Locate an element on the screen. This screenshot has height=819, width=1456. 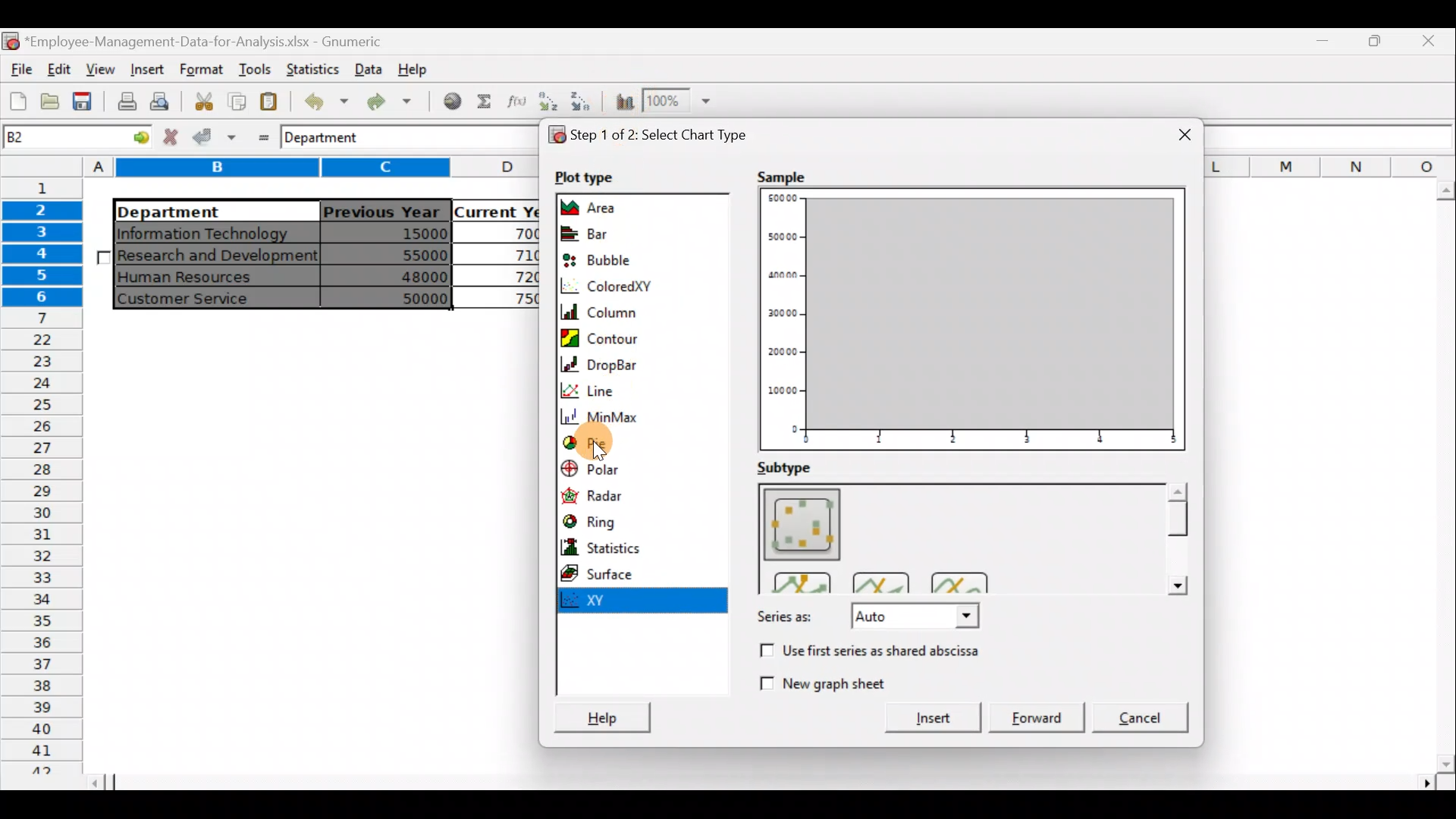
Save the current workbook is located at coordinates (83, 102).